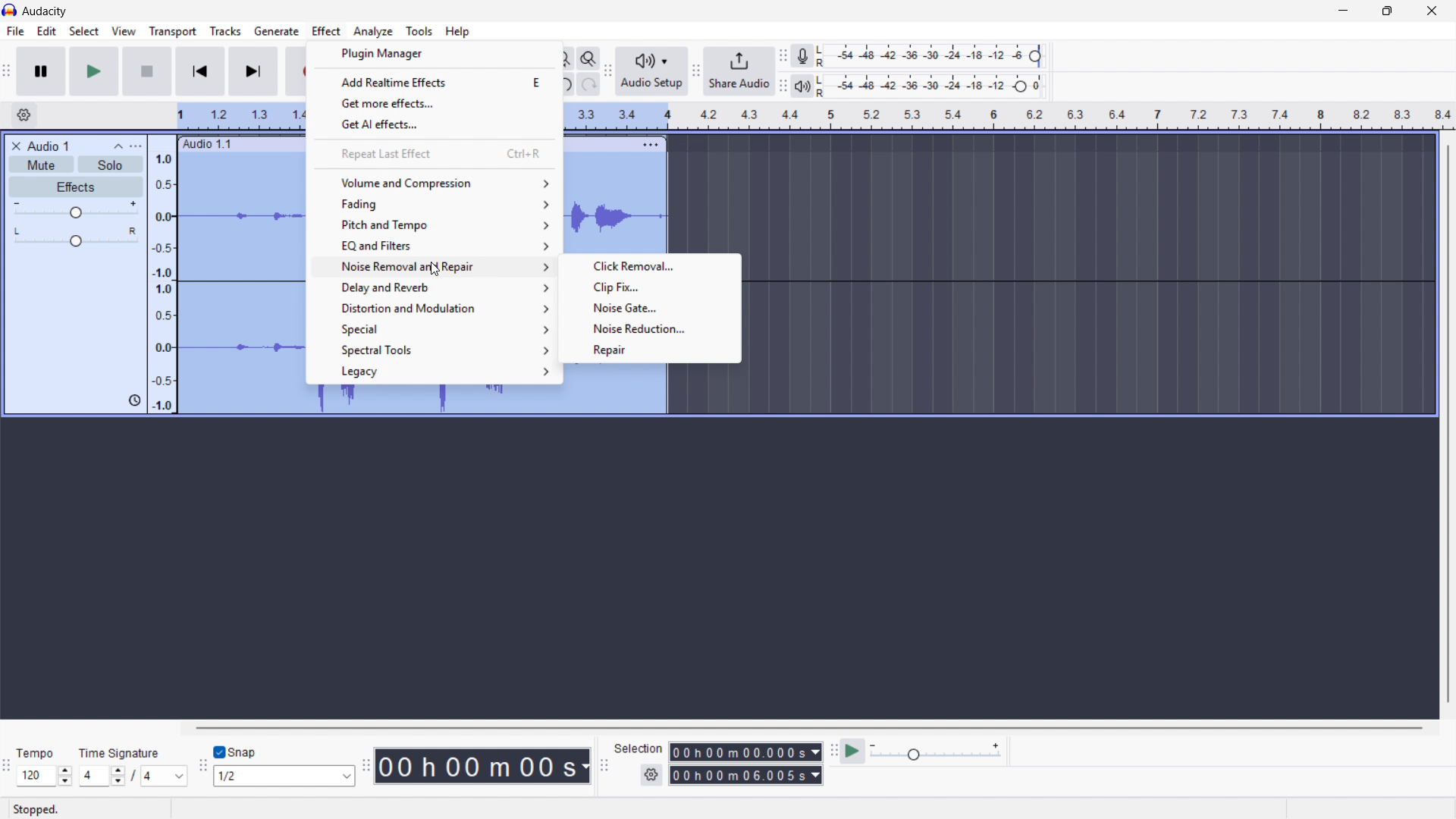 Image resolution: width=1456 pixels, height=819 pixels. What do you see at coordinates (1448, 424) in the screenshot?
I see `Vertical scrollbar` at bounding box center [1448, 424].